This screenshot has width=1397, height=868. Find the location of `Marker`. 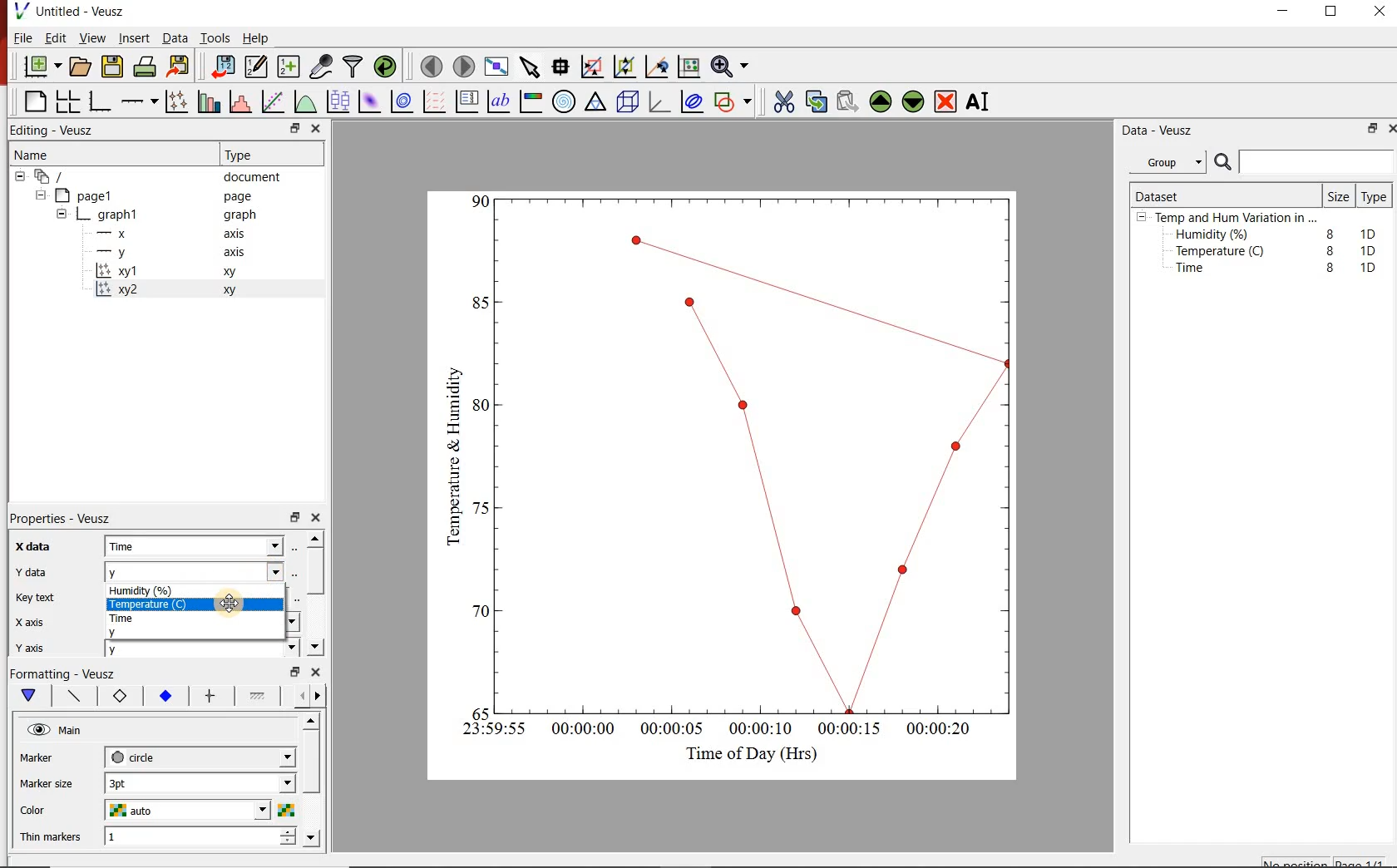

Marker is located at coordinates (49, 759).